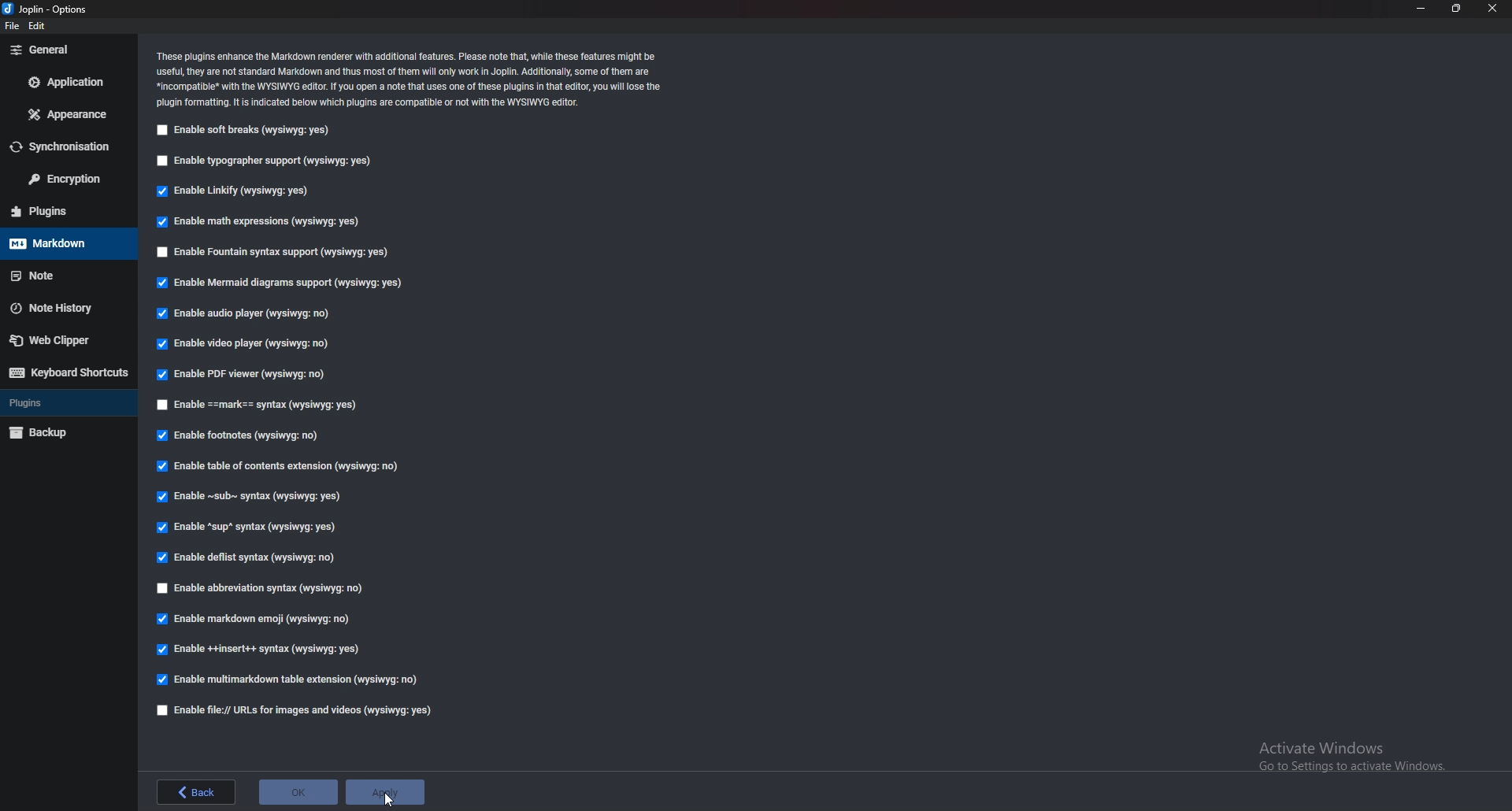  What do you see at coordinates (65, 83) in the screenshot?
I see `Application` at bounding box center [65, 83].